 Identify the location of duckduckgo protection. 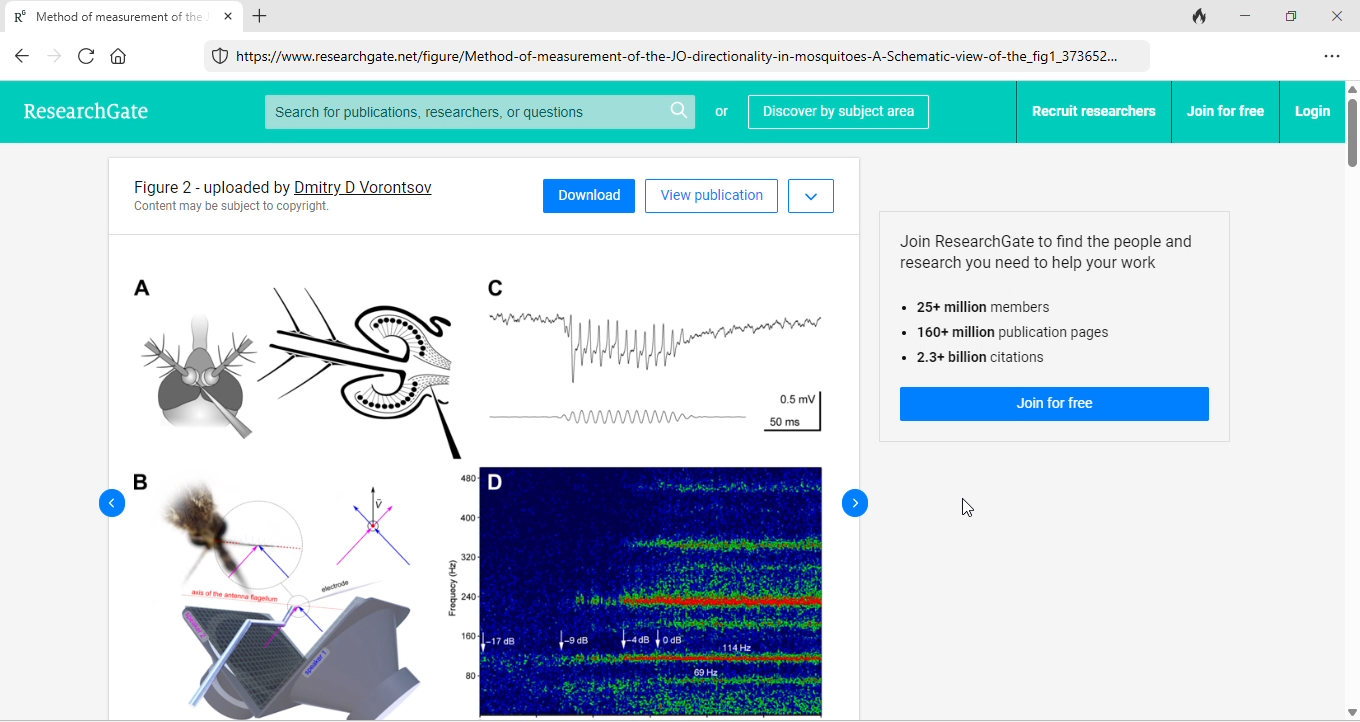
(217, 56).